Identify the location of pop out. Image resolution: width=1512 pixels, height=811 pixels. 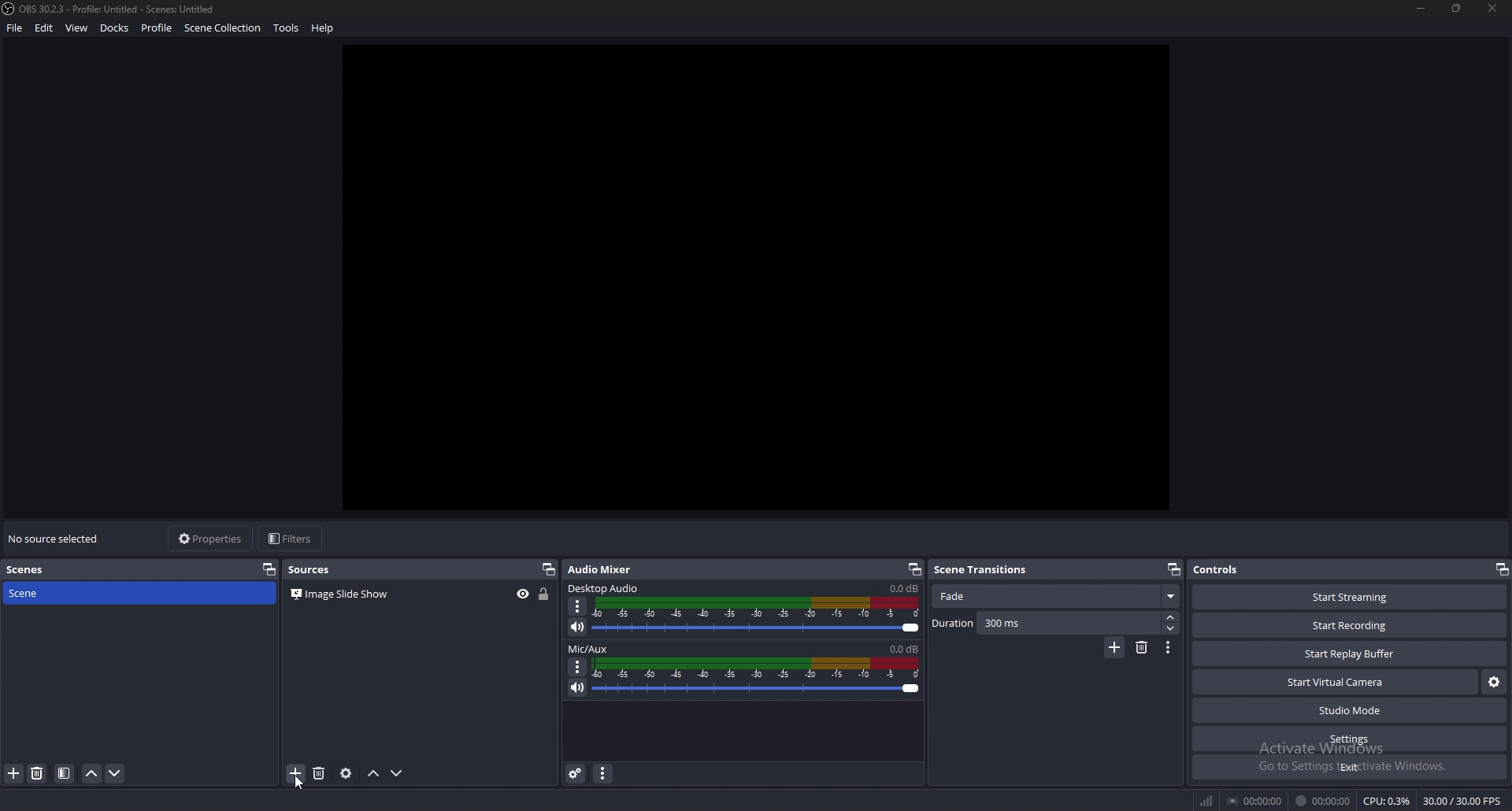
(1503, 569).